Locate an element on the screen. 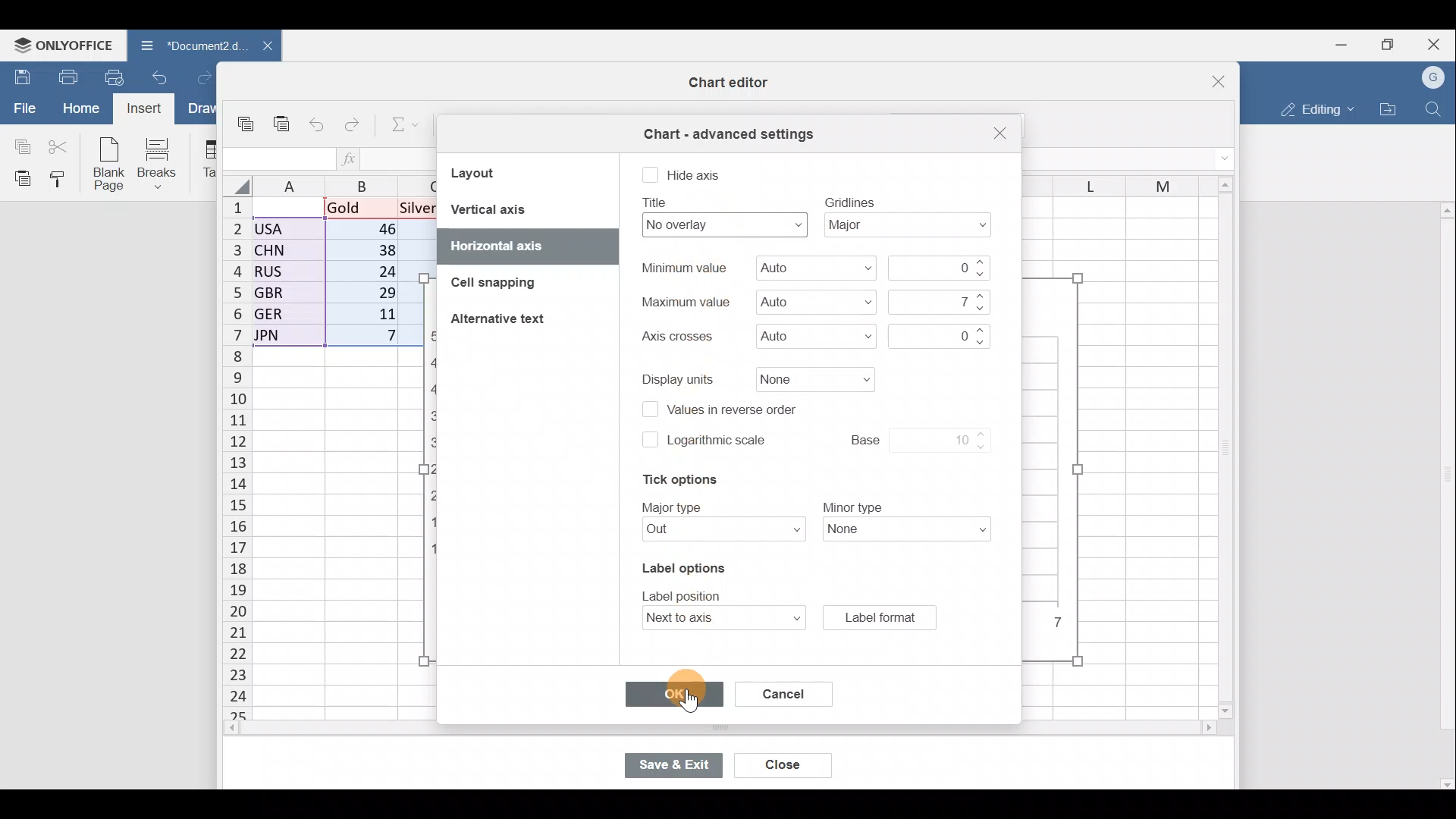 This screenshot has width=1456, height=819. Close is located at coordinates (784, 765).